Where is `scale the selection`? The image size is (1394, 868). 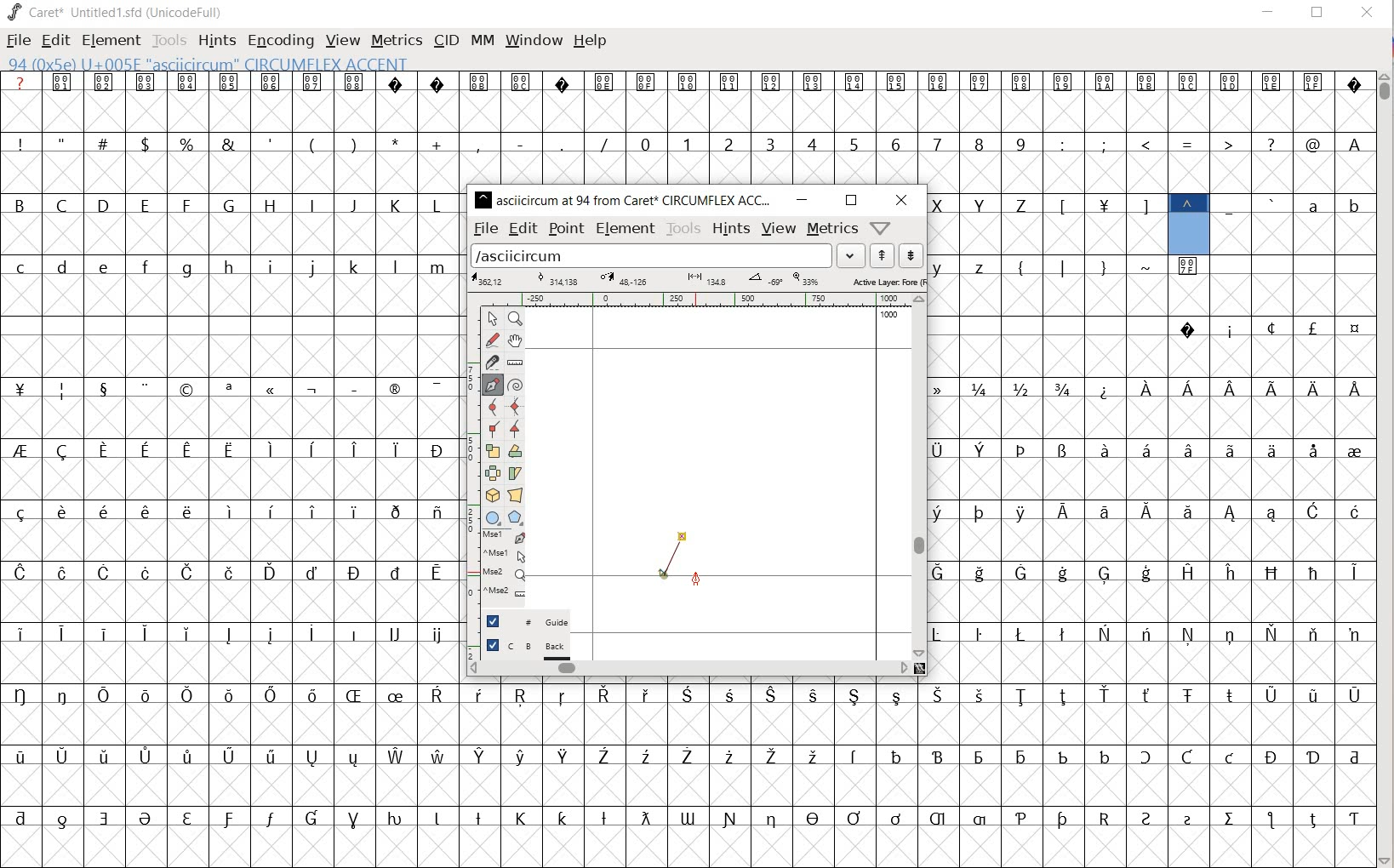 scale the selection is located at coordinates (492, 451).